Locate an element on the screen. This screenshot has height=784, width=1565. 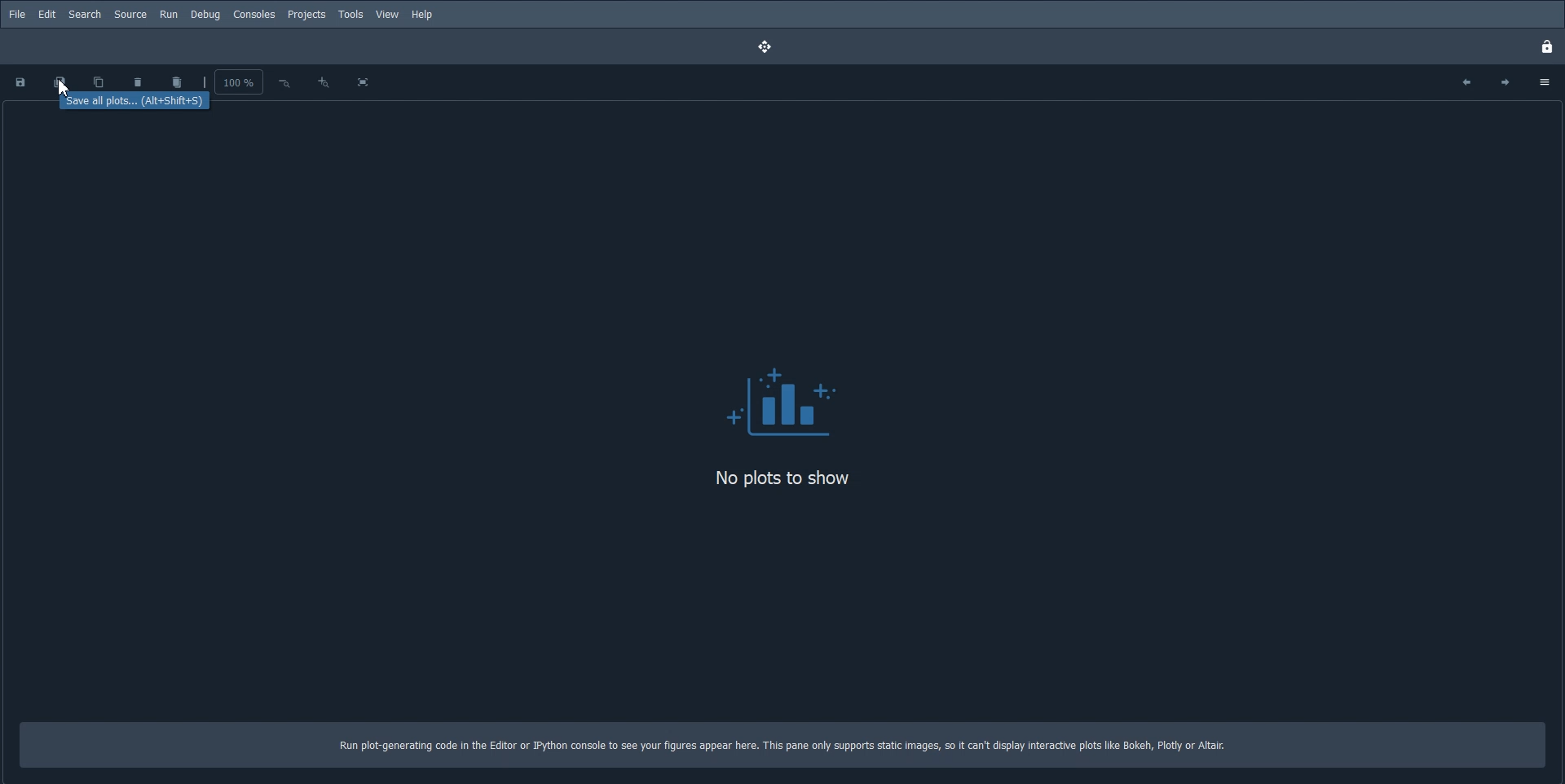
Source is located at coordinates (130, 14).